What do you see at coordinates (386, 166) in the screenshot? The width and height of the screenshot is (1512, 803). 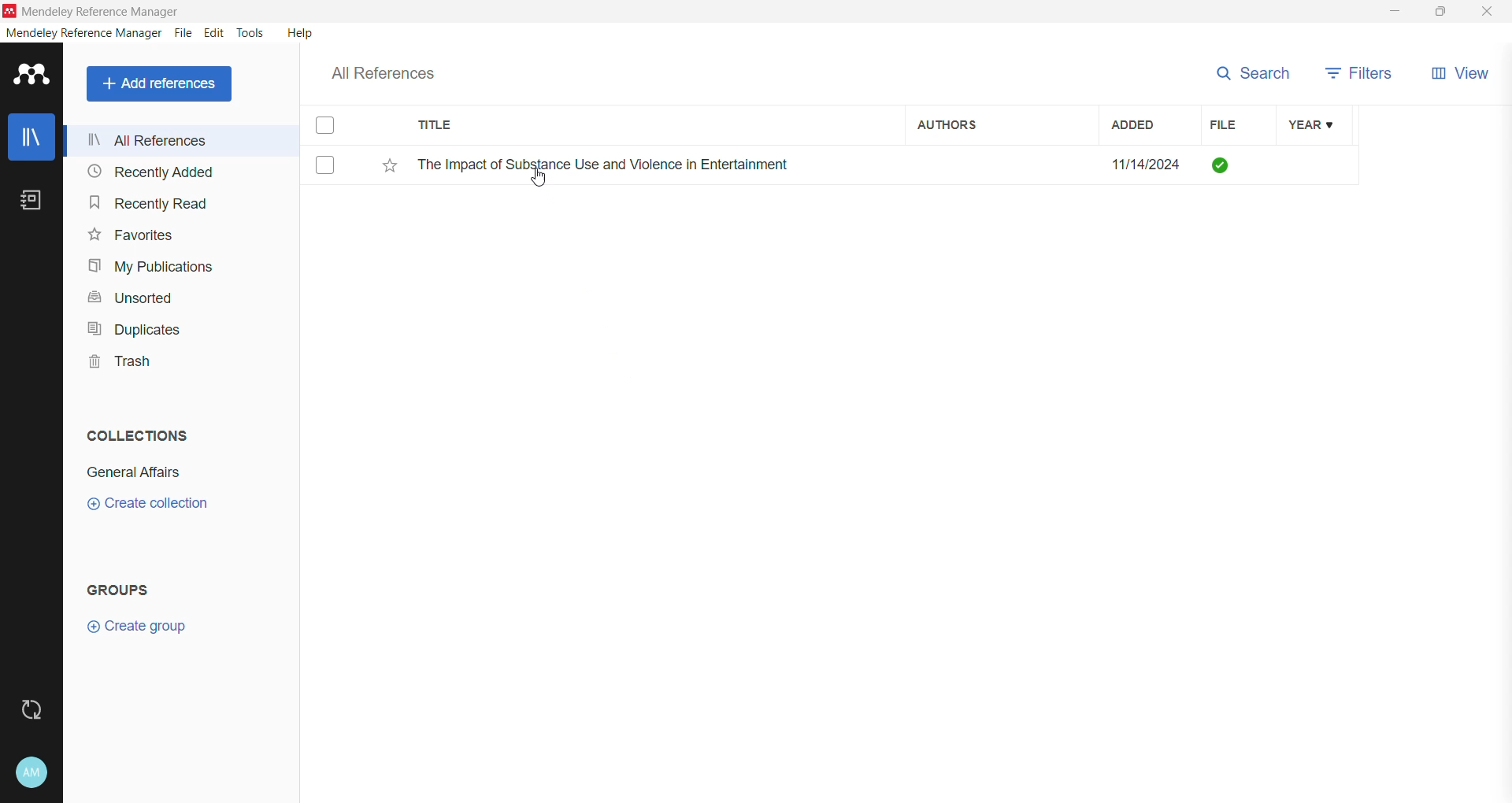 I see `Click to Add to Favorites` at bounding box center [386, 166].